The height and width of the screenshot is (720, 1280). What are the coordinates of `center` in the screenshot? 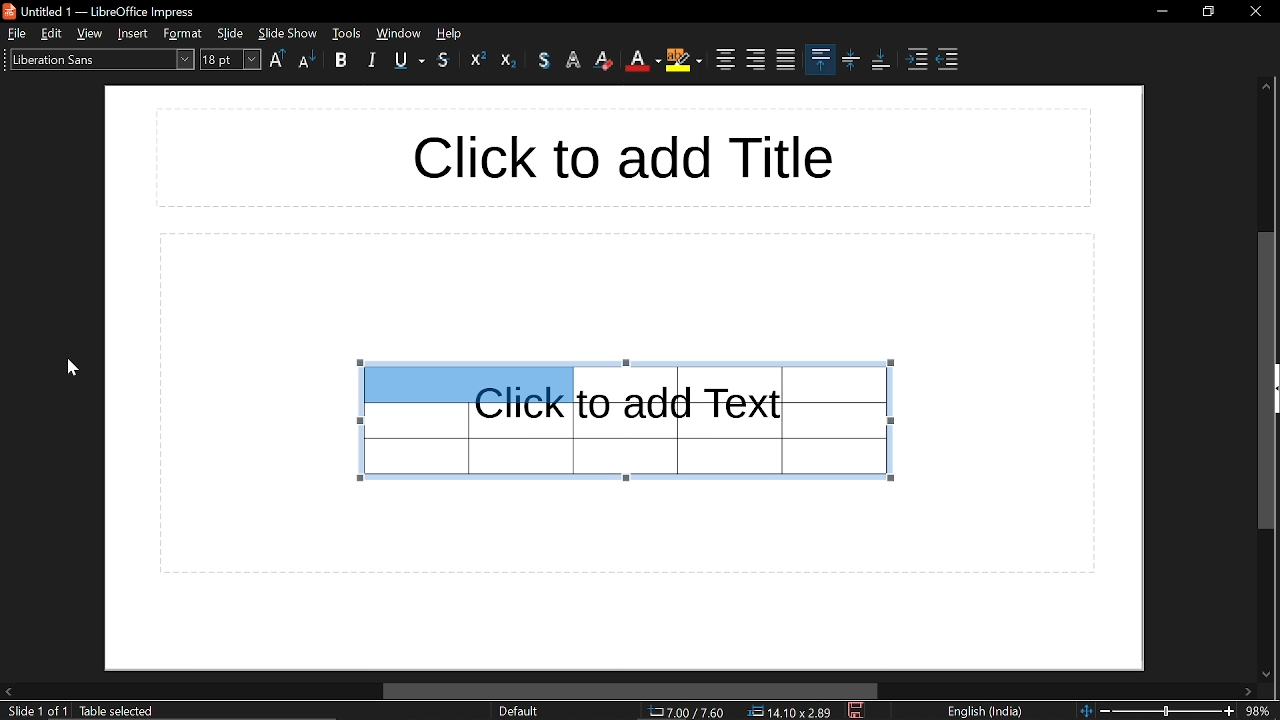 It's located at (723, 60).